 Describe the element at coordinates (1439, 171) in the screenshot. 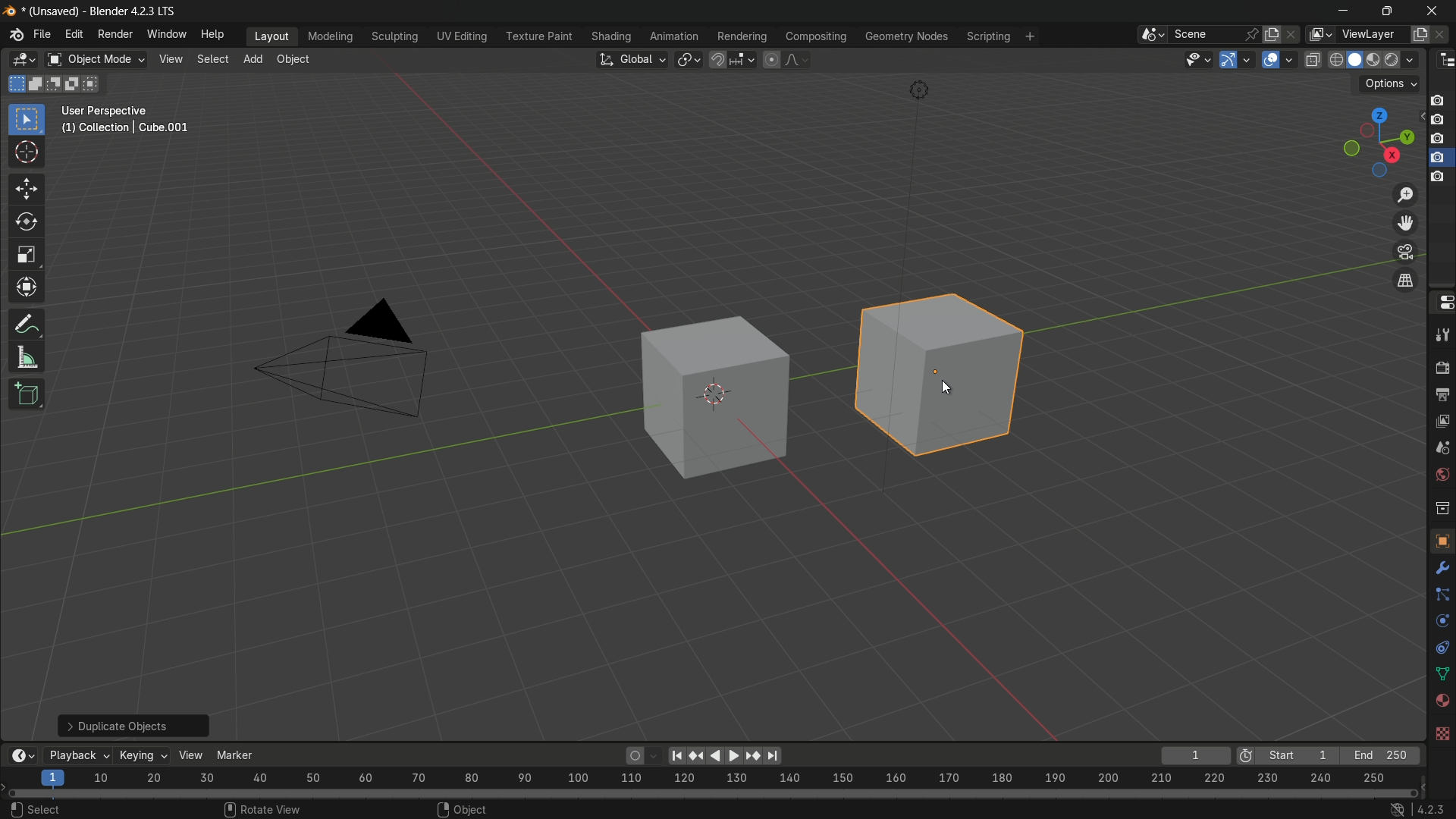

I see `Icon4` at that location.